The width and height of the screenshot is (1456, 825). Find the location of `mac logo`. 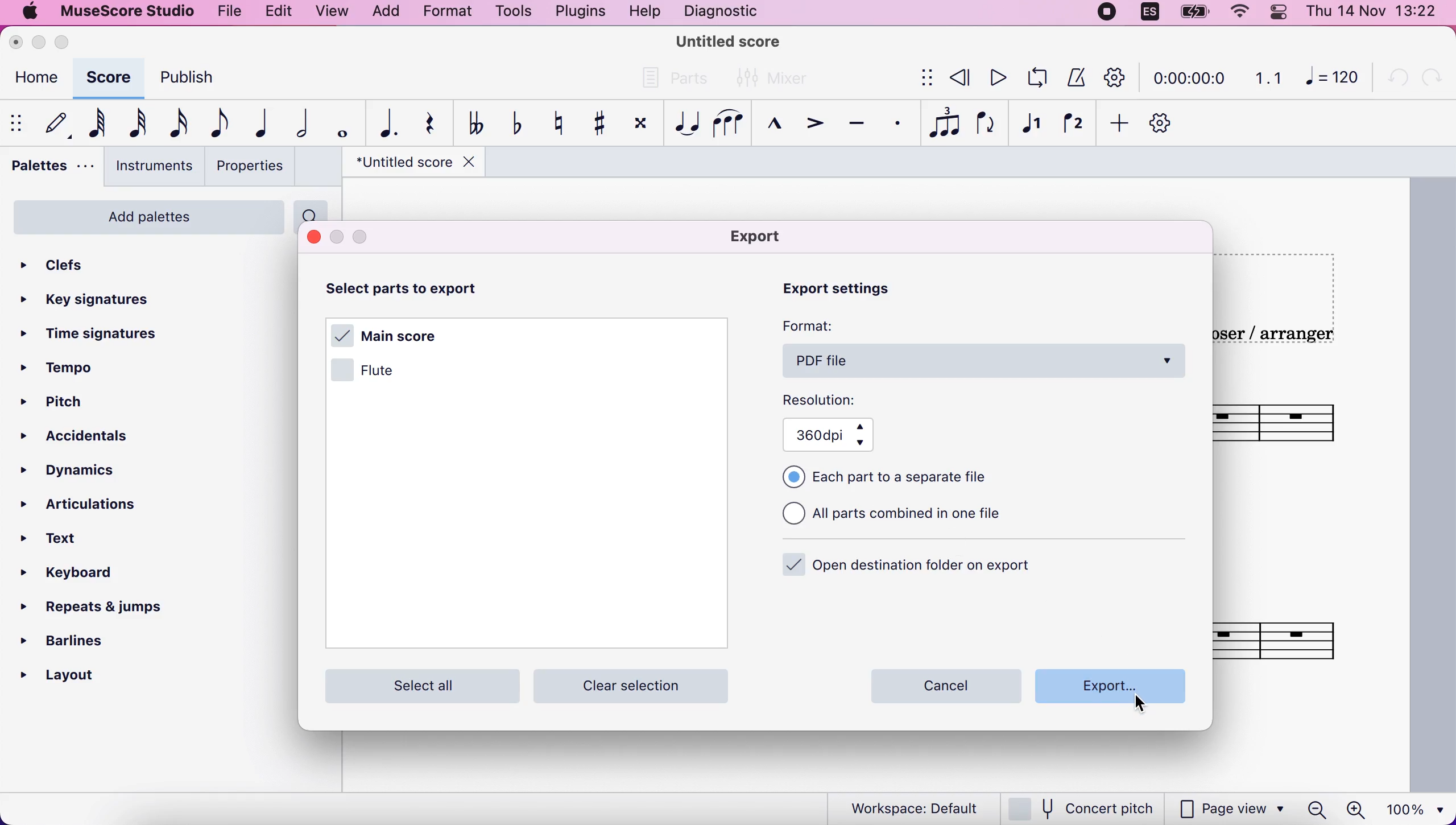

mac logo is located at coordinates (29, 13).